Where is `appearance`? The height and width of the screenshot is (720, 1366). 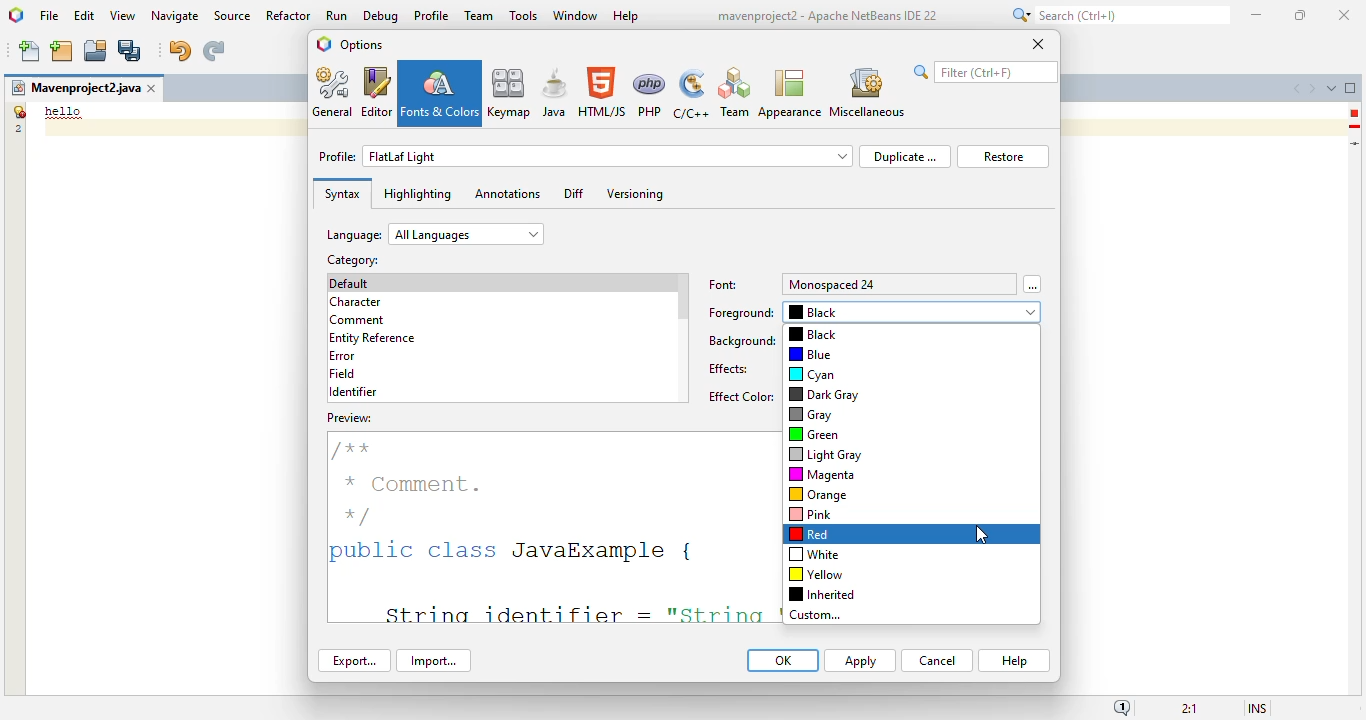 appearance is located at coordinates (790, 94).